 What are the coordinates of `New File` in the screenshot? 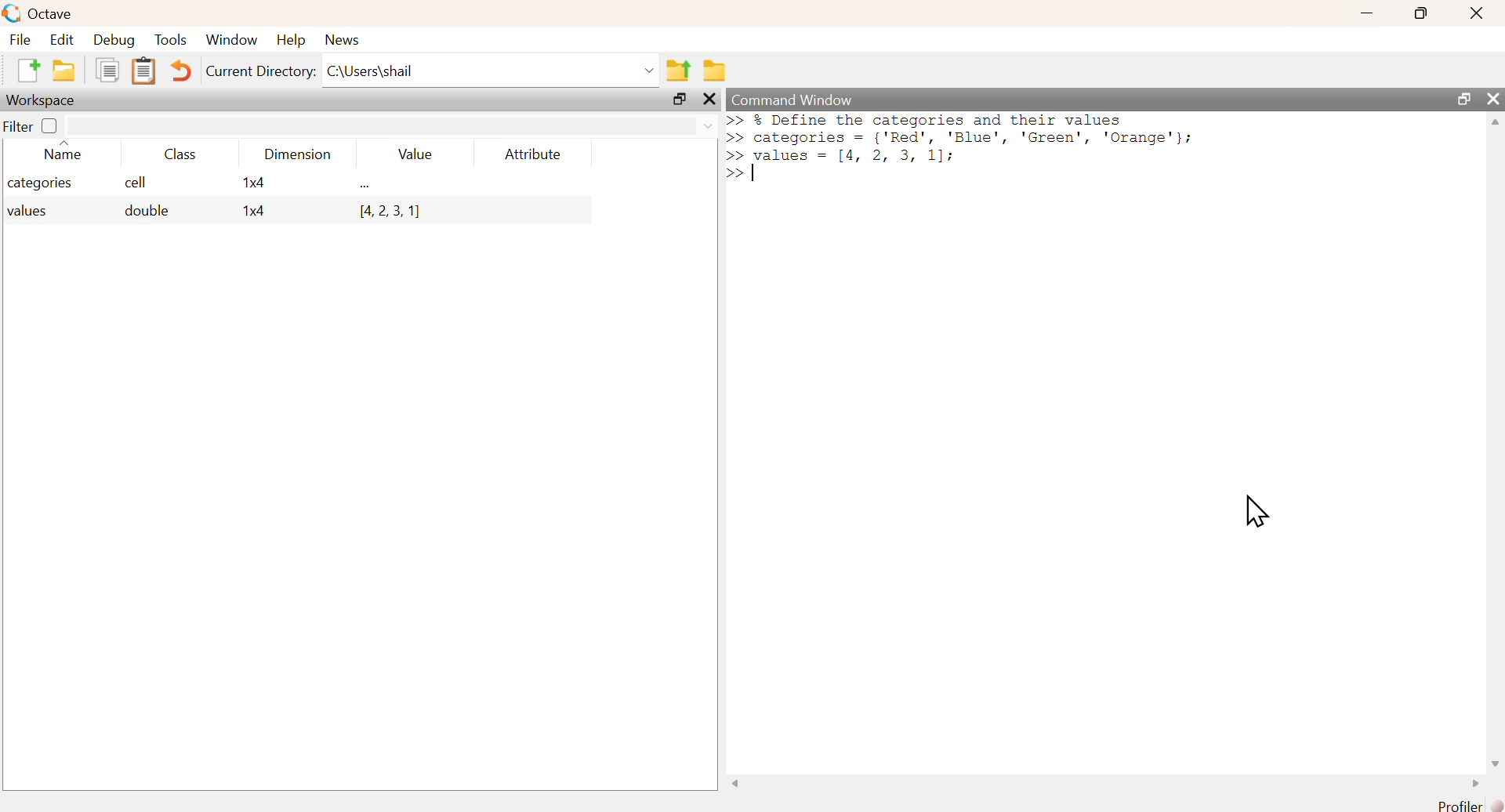 It's located at (29, 71).